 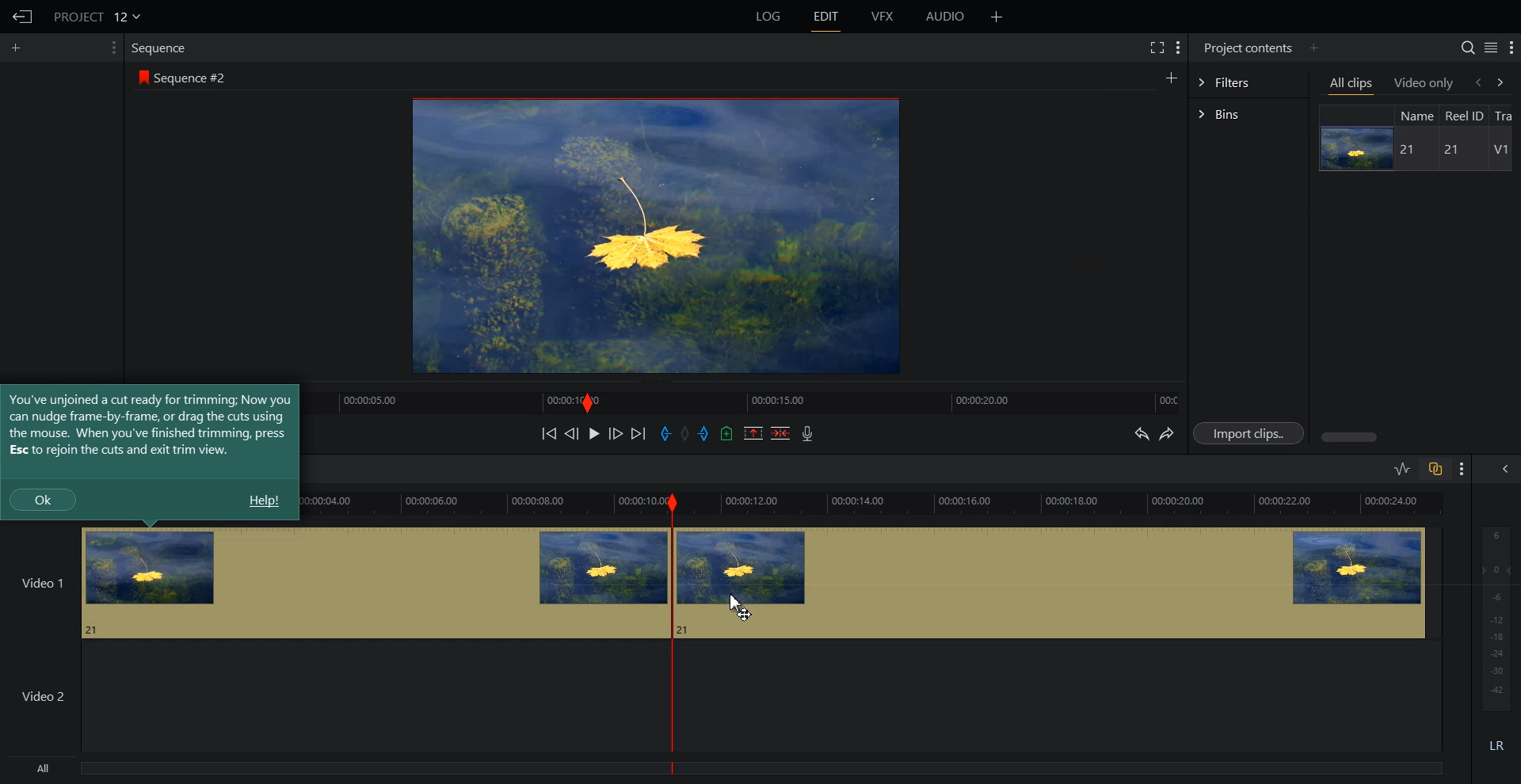 What do you see at coordinates (1248, 82) in the screenshot?
I see `Filters` at bounding box center [1248, 82].